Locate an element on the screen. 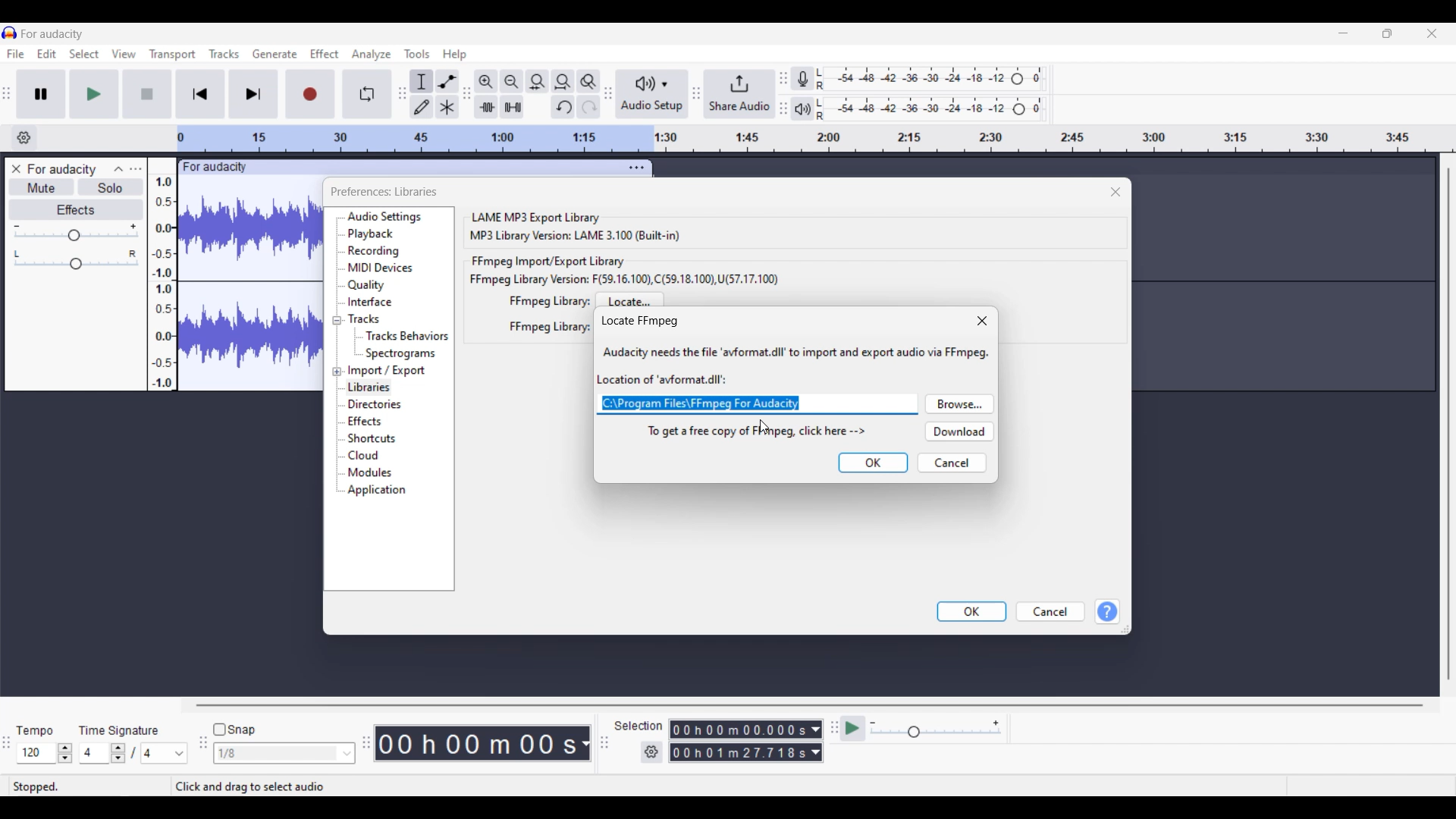 The height and width of the screenshot is (819, 1456). Selection duration is located at coordinates (739, 742).